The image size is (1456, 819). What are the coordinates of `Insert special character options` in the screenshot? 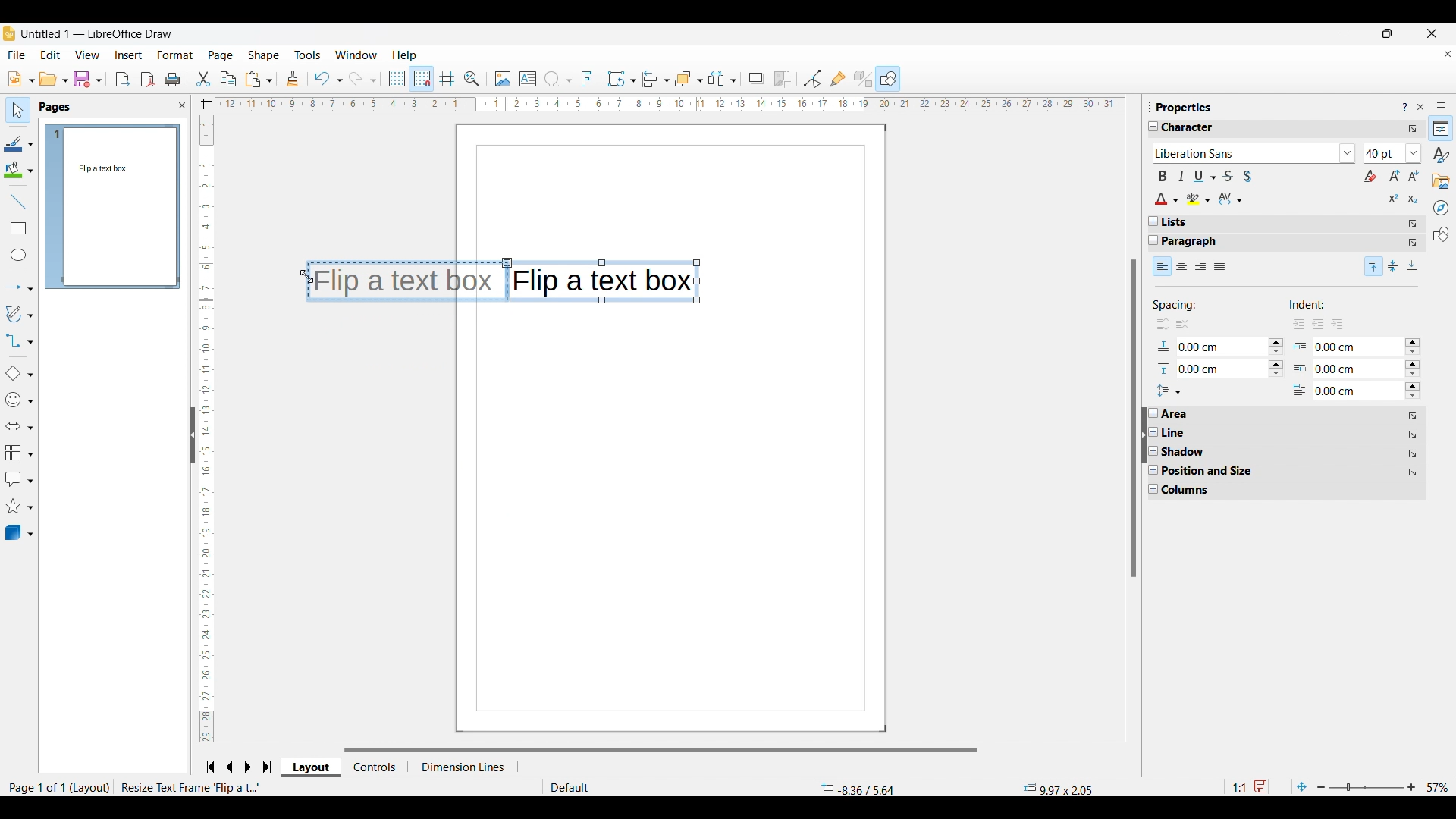 It's located at (557, 80).